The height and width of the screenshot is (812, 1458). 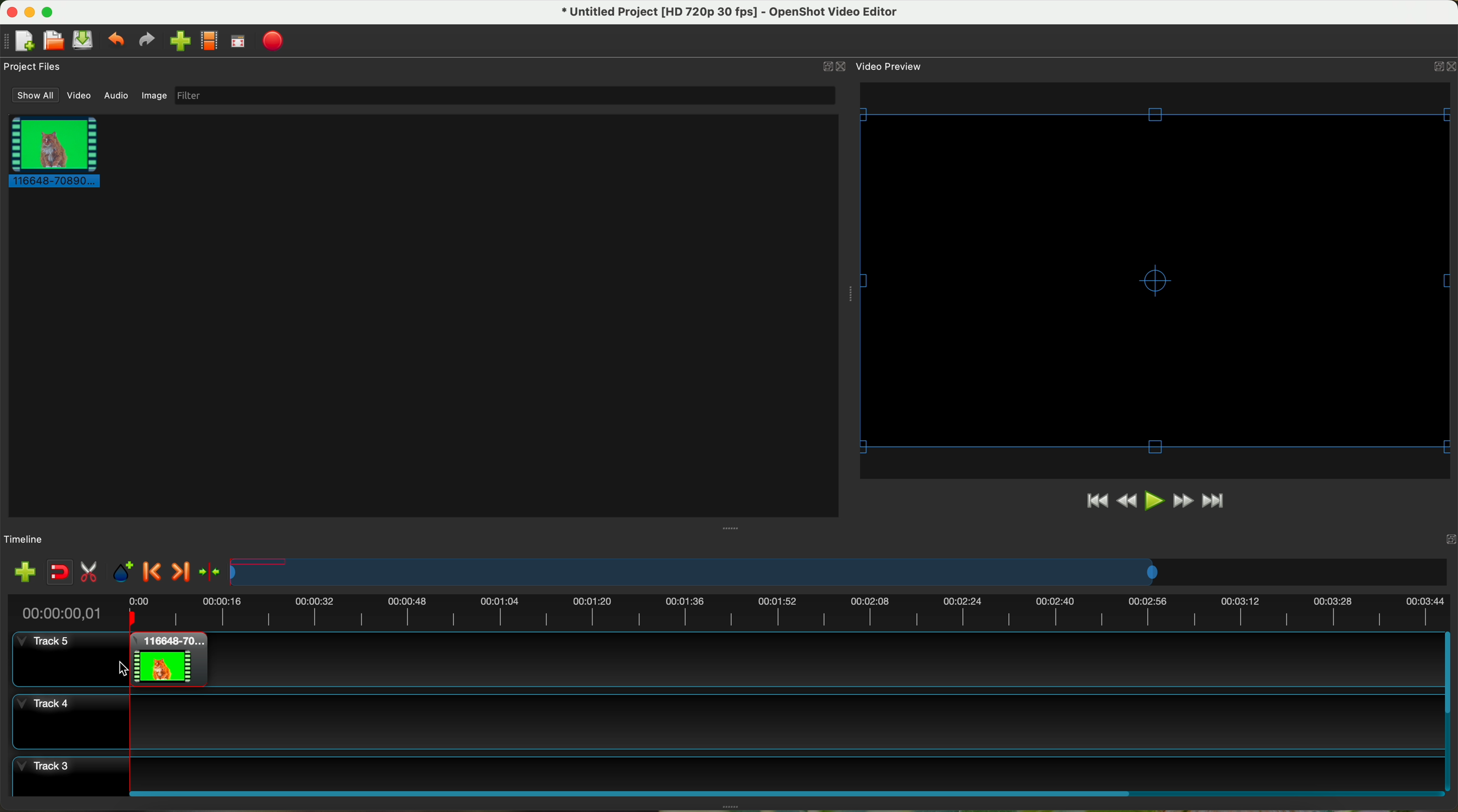 I want to click on previous marker, so click(x=153, y=572).